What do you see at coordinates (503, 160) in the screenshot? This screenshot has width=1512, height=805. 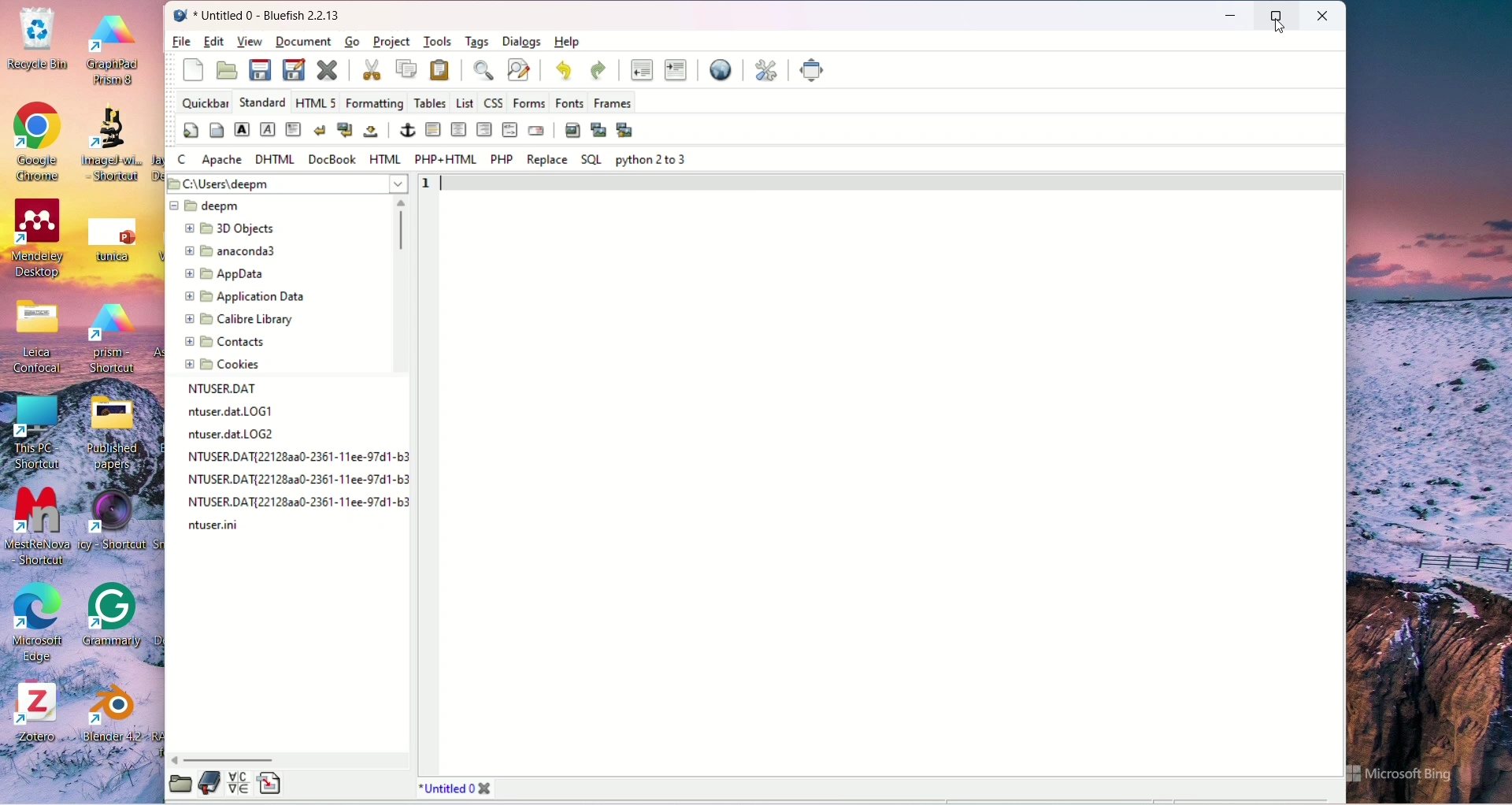 I see `PHP` at bounding box center [503, 160].